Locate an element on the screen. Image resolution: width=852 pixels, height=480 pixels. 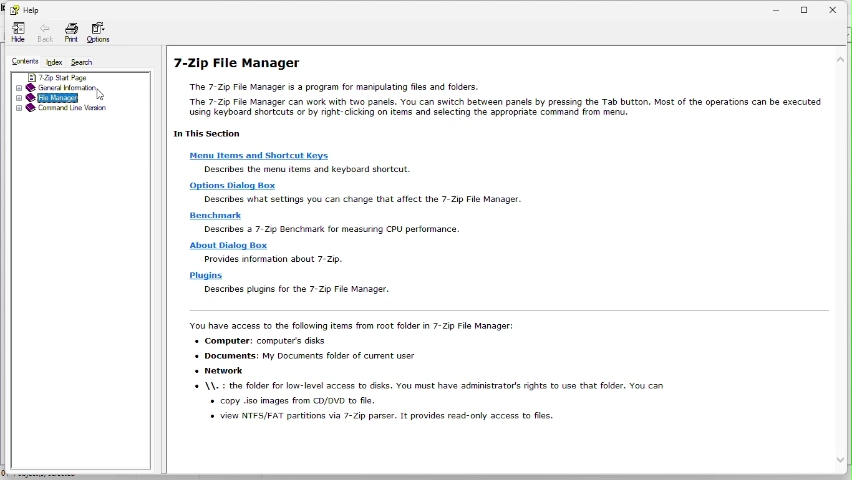
Options is located at coordinates (98, 31).